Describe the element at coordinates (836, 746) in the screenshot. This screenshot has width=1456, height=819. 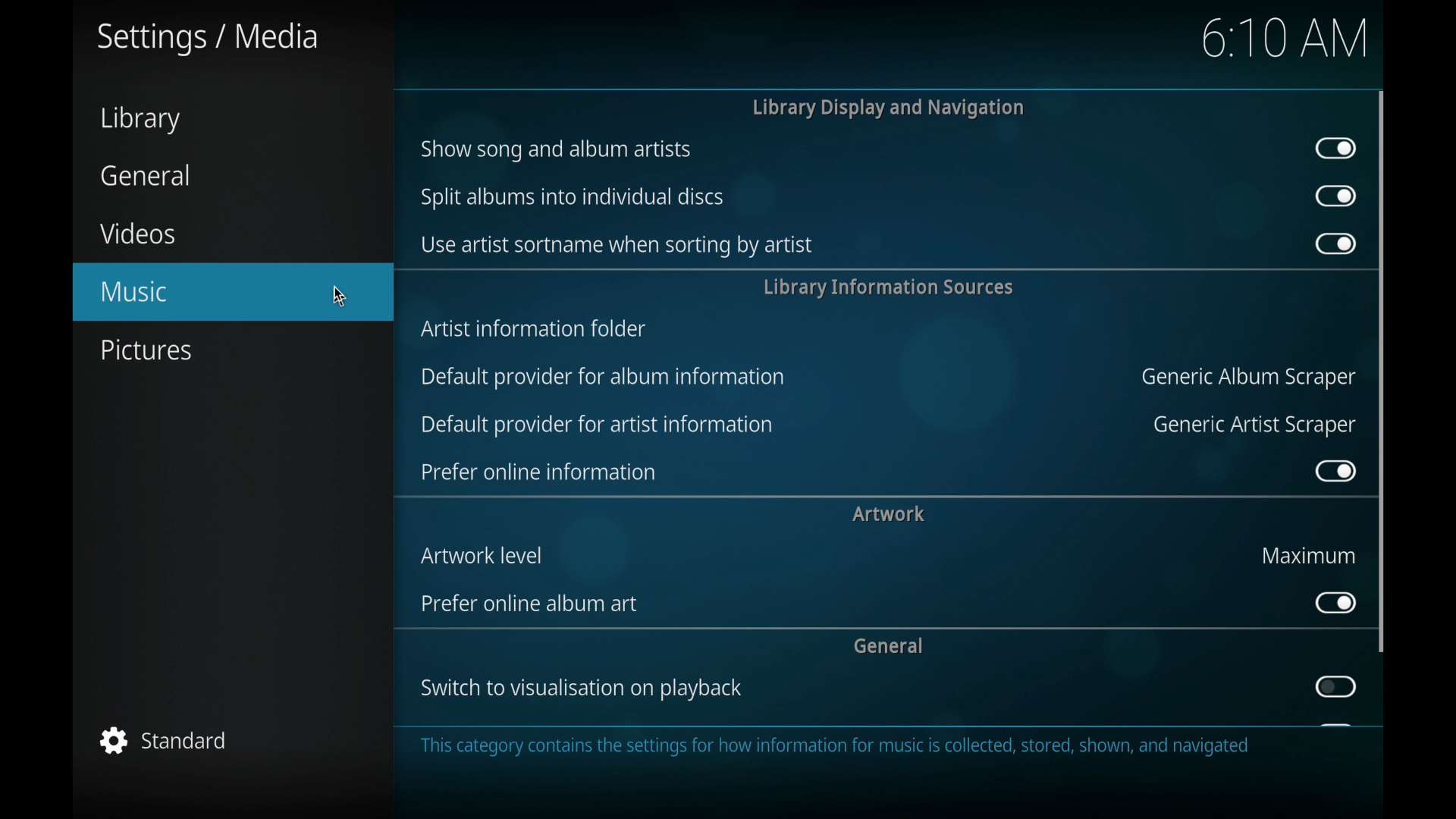
I see `info` at that location.